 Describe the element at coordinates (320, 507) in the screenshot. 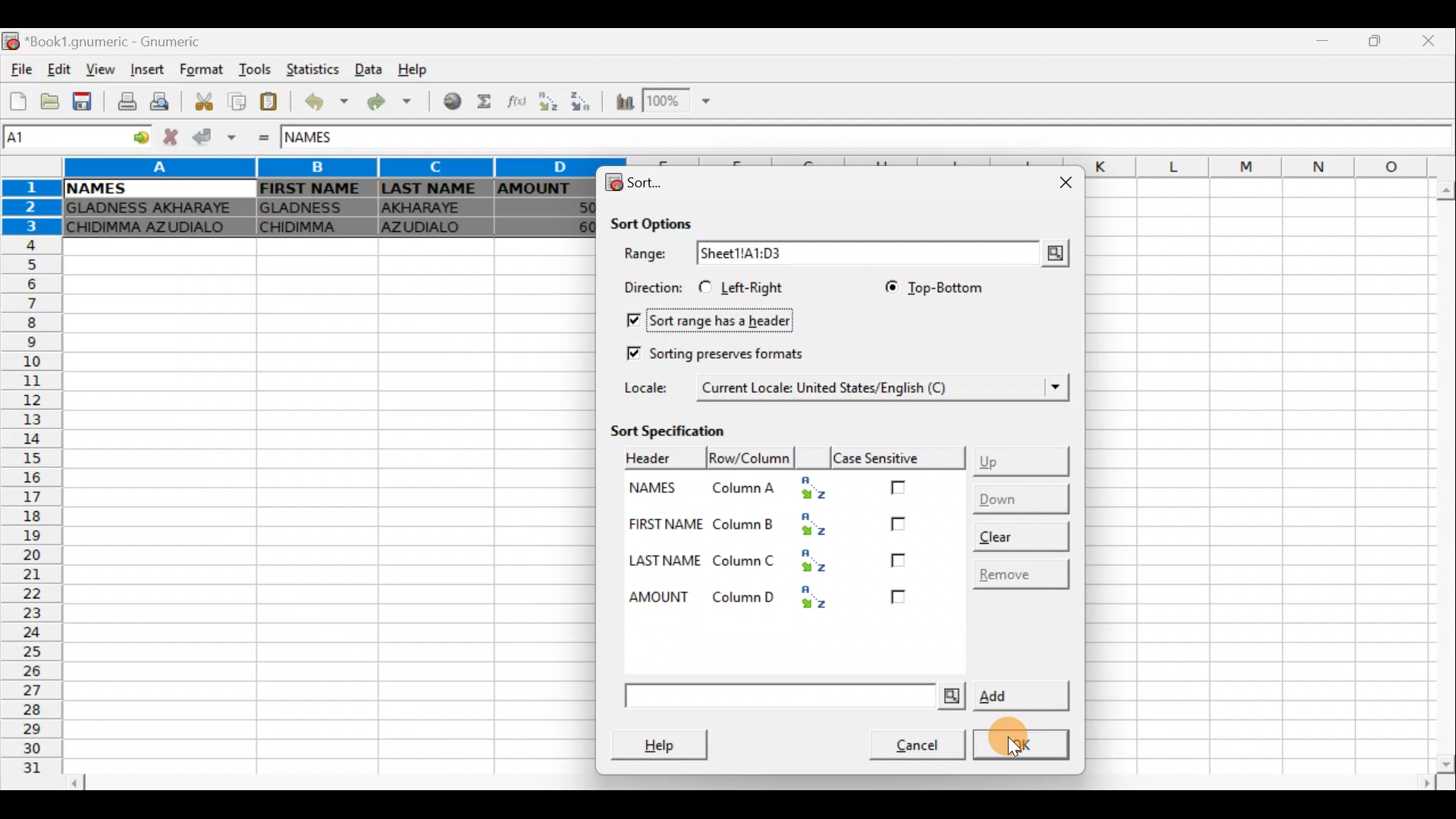

I see `Cells` at that location.